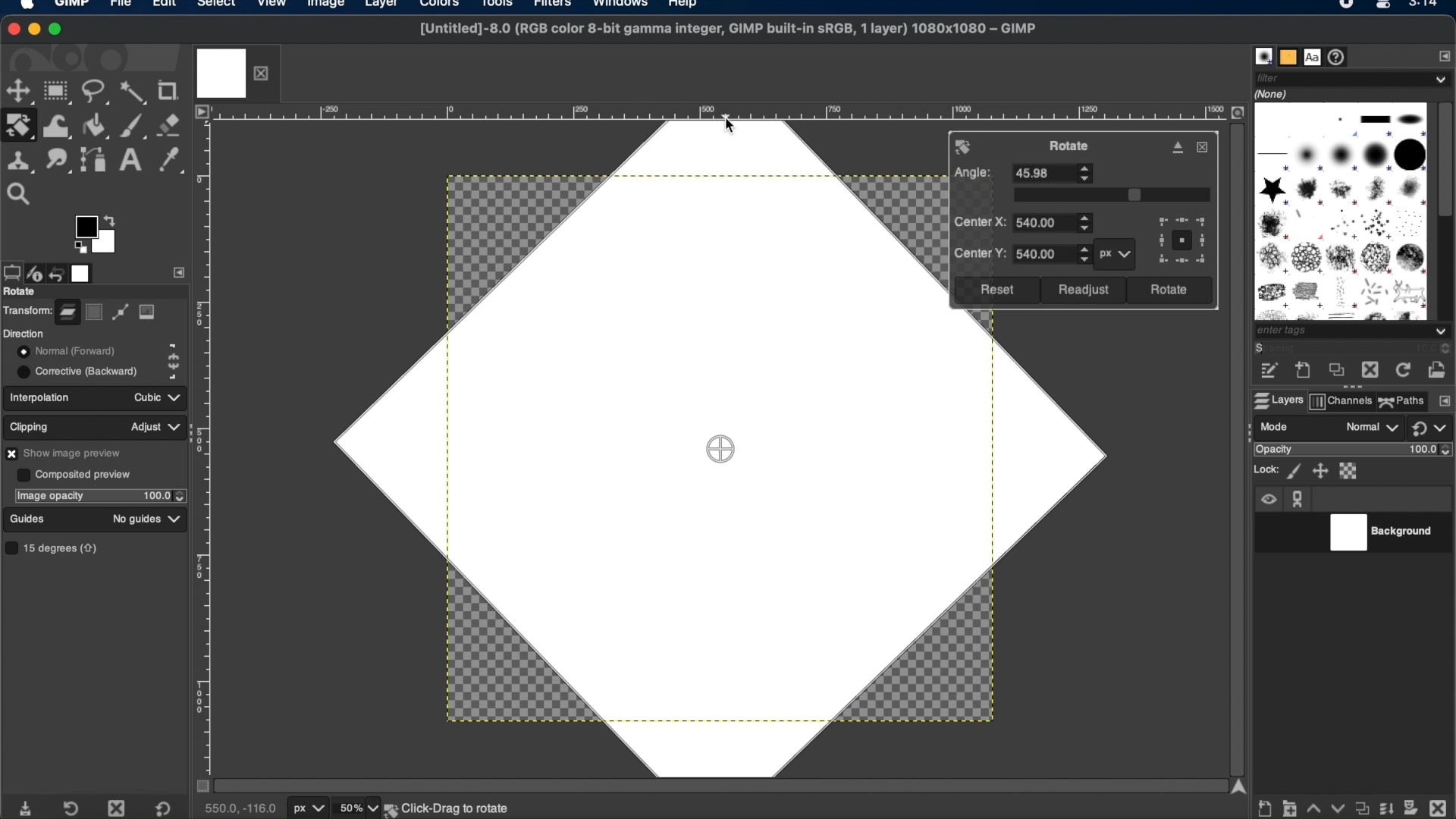  I want to click on access image menu, so click(202, 112).